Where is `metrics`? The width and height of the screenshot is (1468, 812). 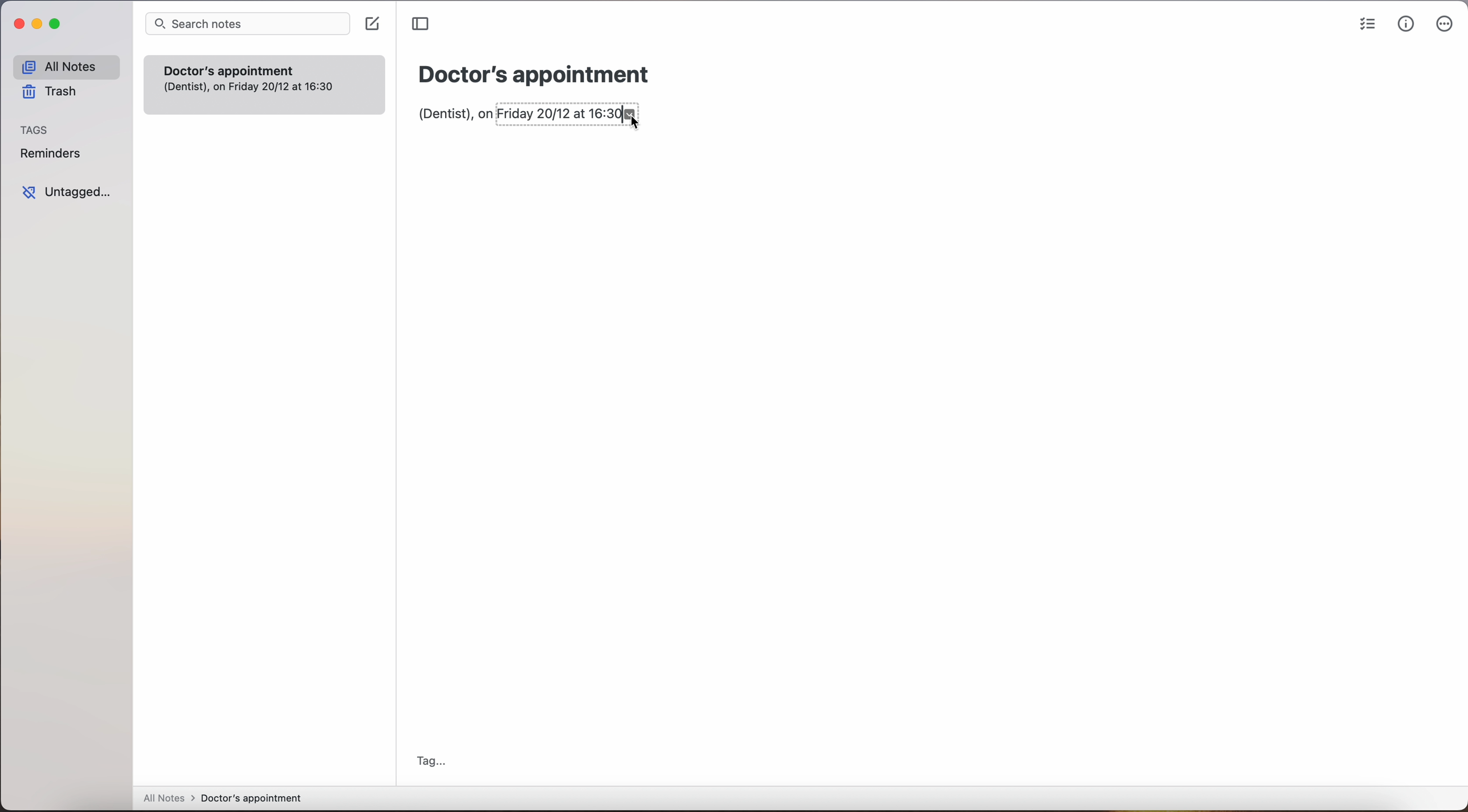 metrics is located at coordinates (1405, 26).